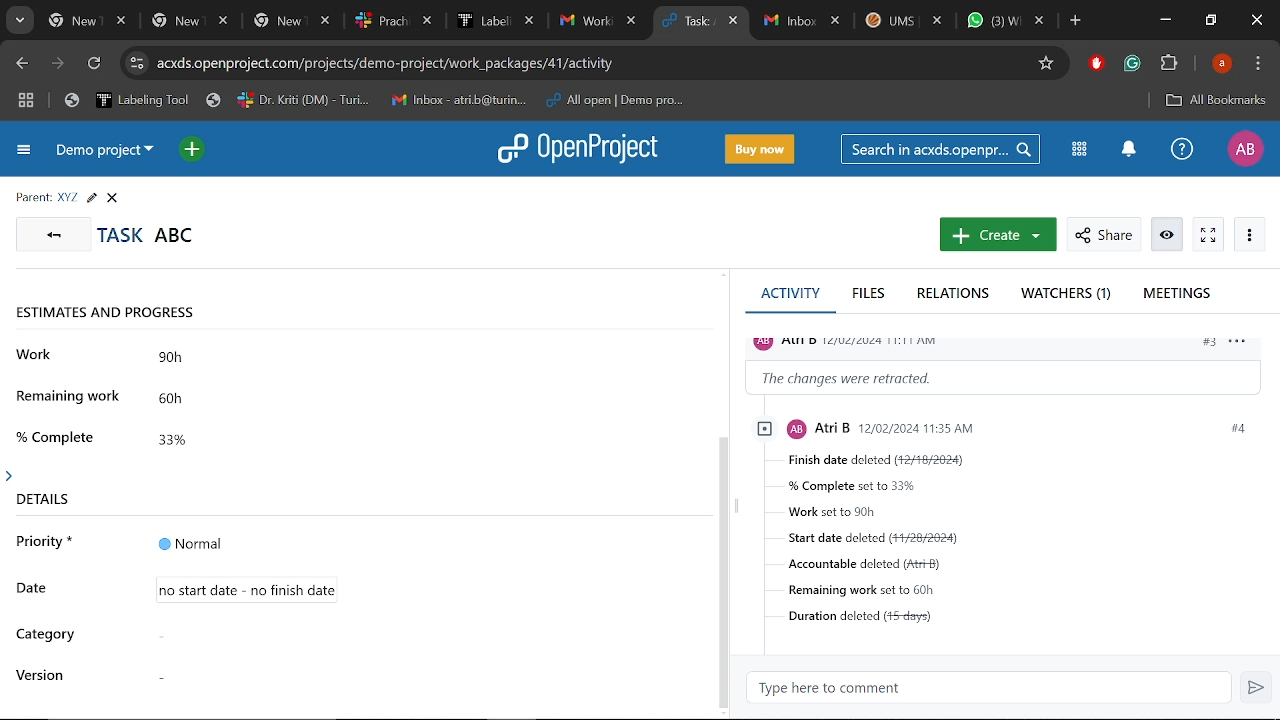  Describe the element at coordinates (855, 341) in the screenshot. I see `profile` at that location.